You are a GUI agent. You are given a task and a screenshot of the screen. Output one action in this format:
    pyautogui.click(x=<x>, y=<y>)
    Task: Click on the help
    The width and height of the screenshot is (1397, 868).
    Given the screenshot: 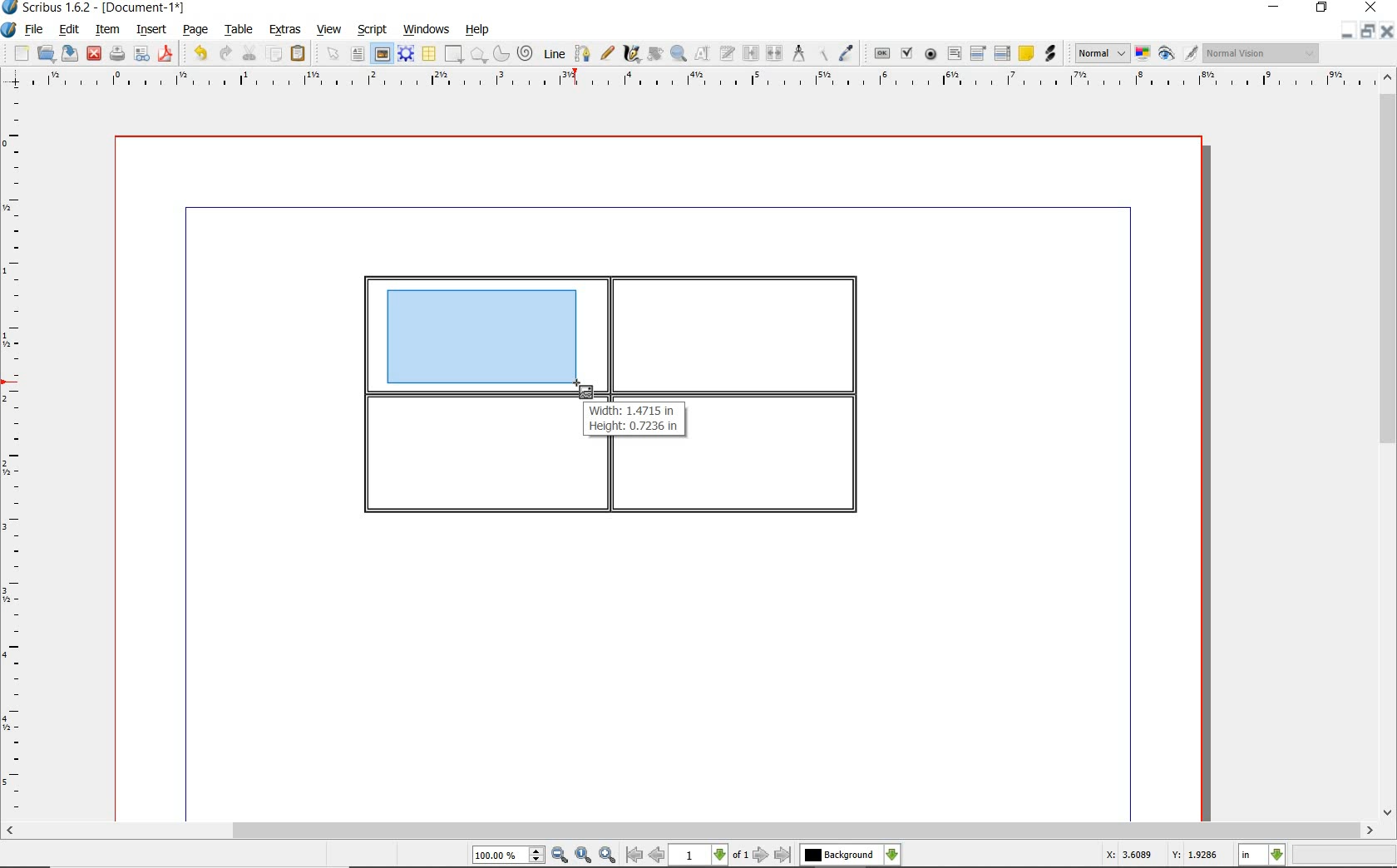 What is the action you would take?
    pyautogui.click(x=477, y=30)
    